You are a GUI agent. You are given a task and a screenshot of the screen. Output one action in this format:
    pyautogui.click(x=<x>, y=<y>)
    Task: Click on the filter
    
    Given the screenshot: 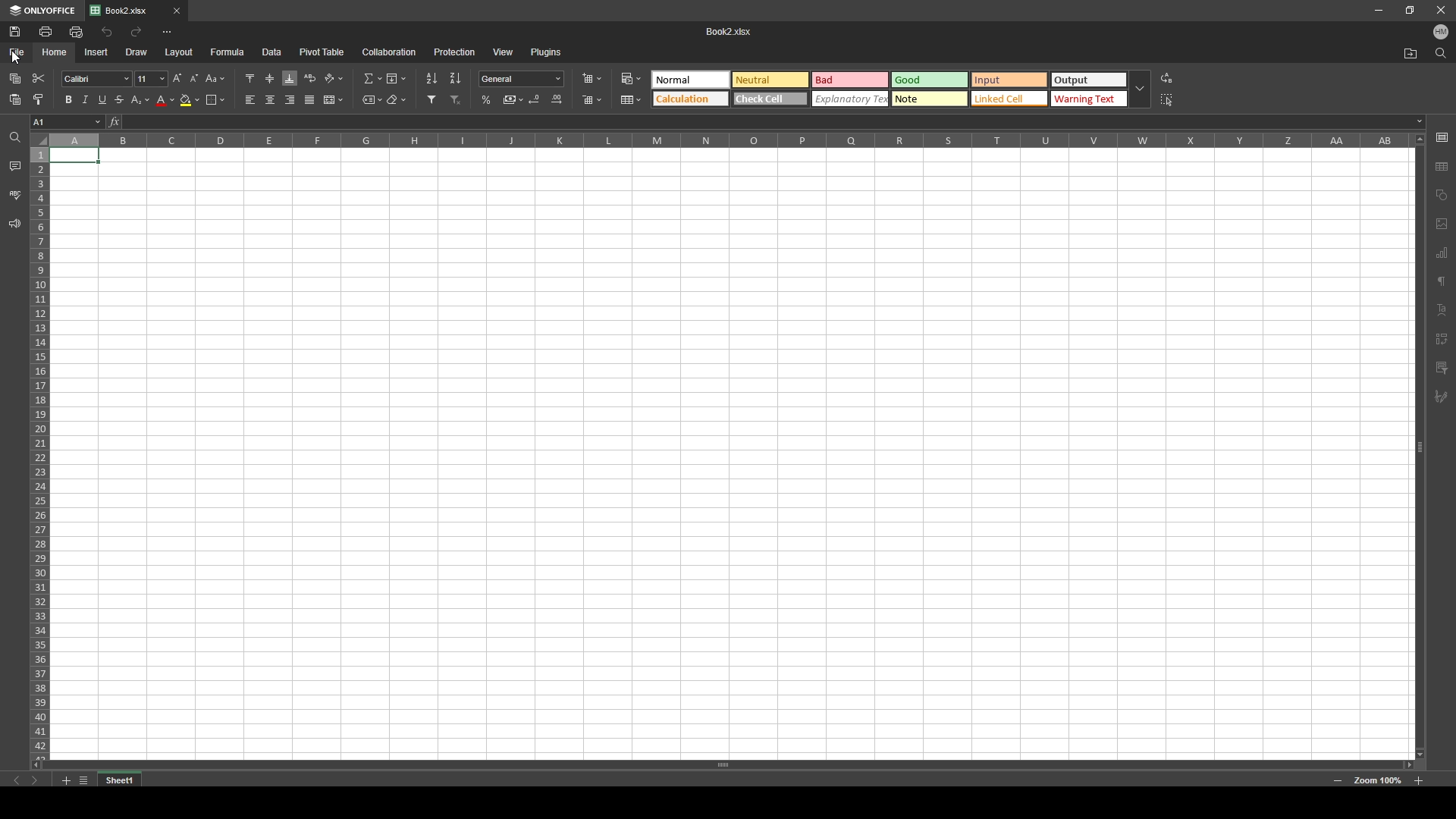 What is the action you would take?
    pyautogui.click(x=1442, y=368)
    